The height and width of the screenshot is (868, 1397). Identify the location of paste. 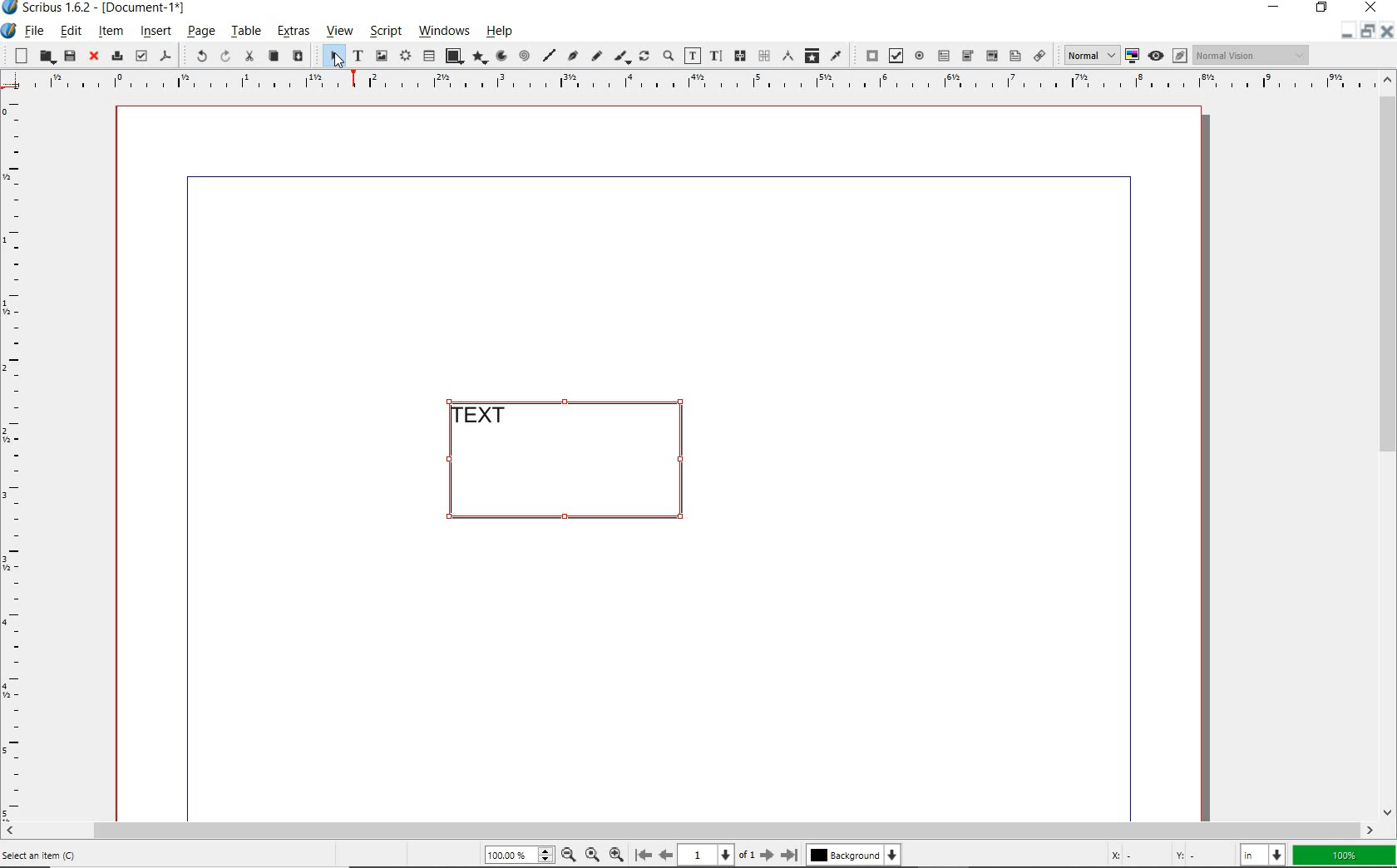
(299, 57).